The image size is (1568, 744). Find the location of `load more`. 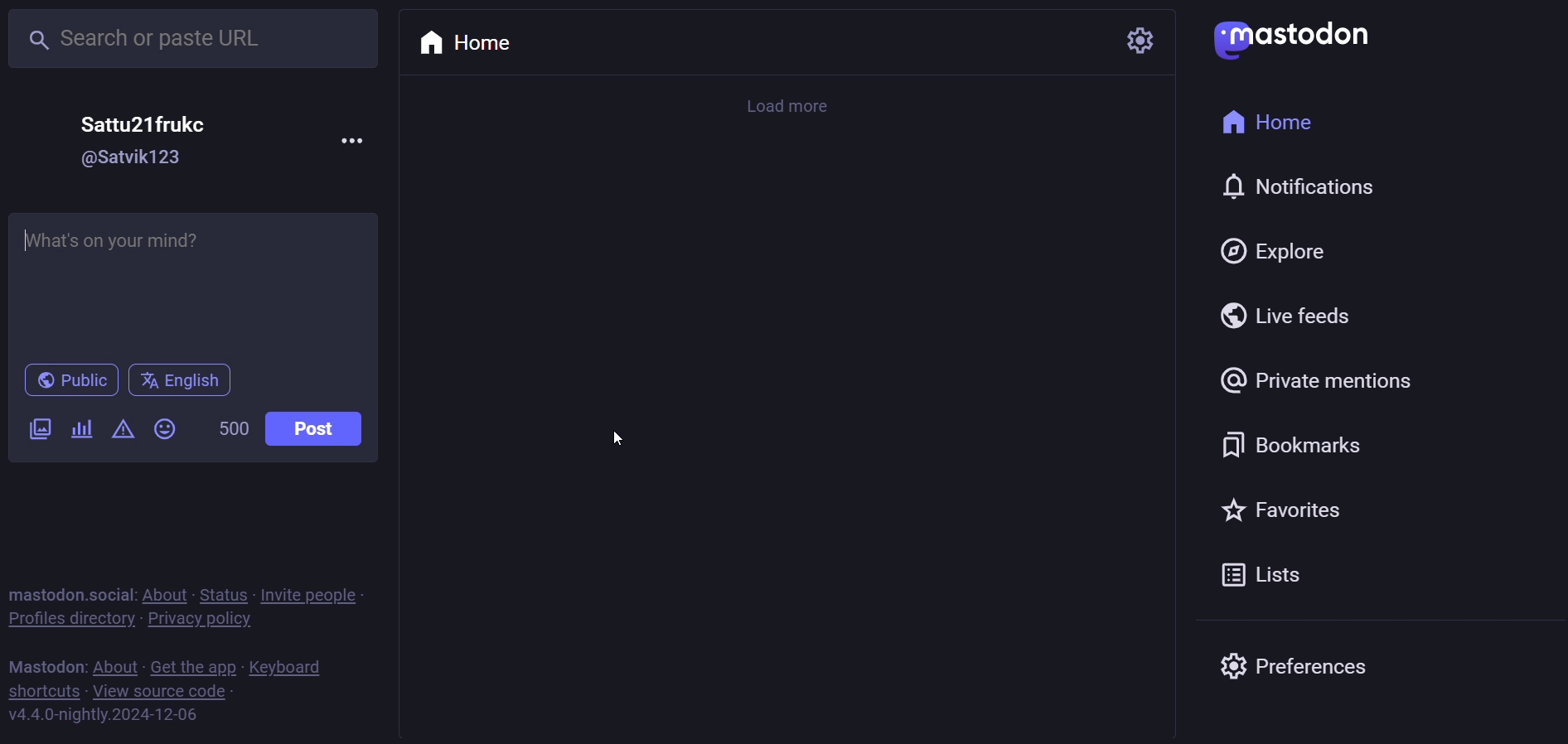

load more is located at coordinates (794, 108).